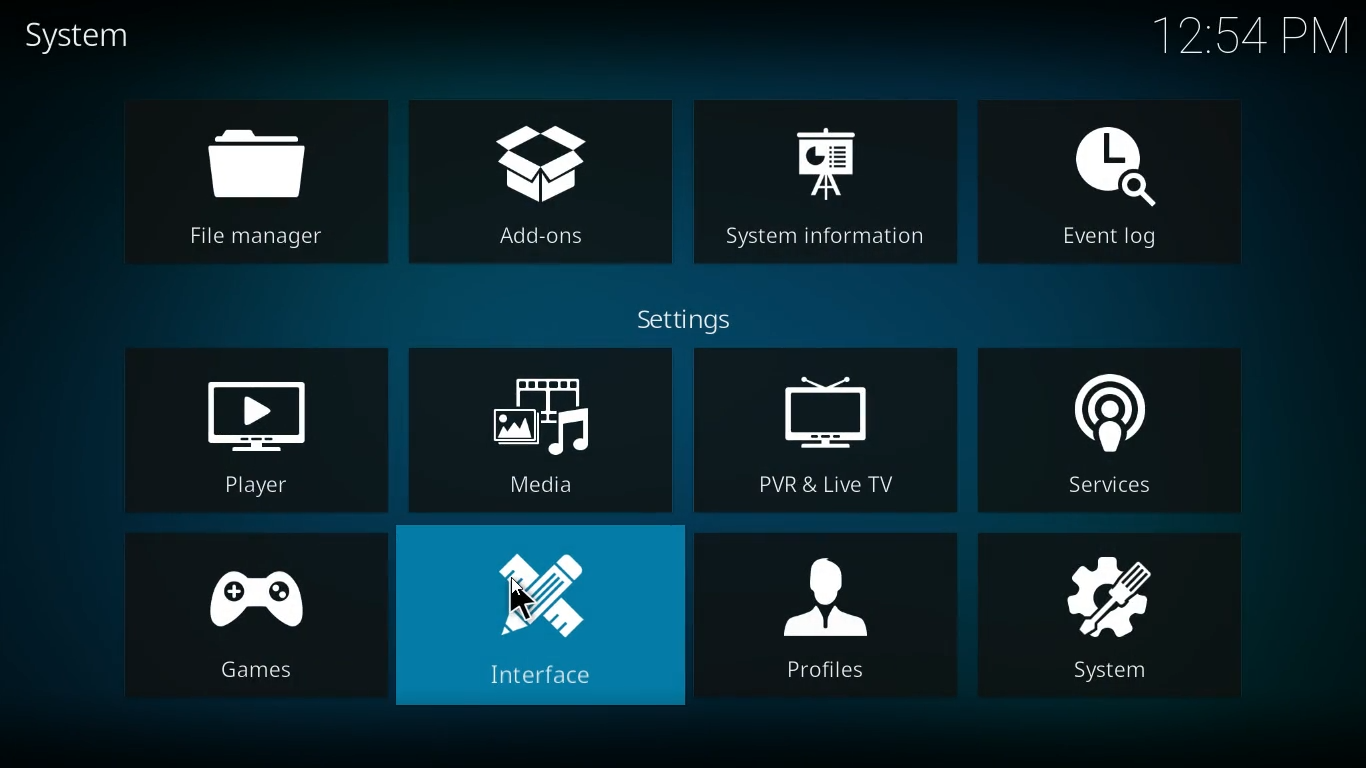 The image size is (1366, 768). I want to click on services, so click(1116, 428).